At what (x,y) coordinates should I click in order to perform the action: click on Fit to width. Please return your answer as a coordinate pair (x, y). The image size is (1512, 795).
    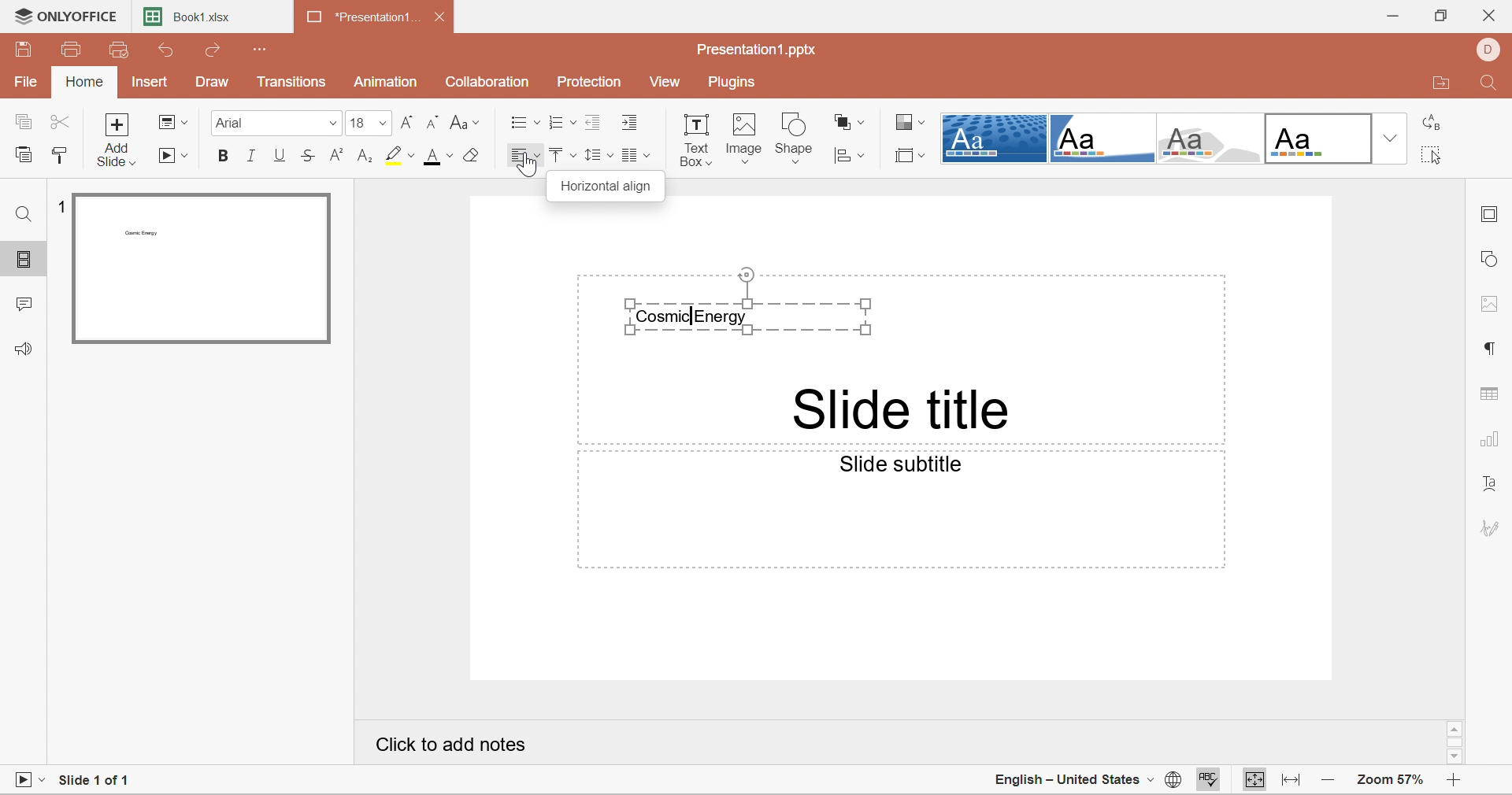
    Looking at the image, I should click on (1292, 778).